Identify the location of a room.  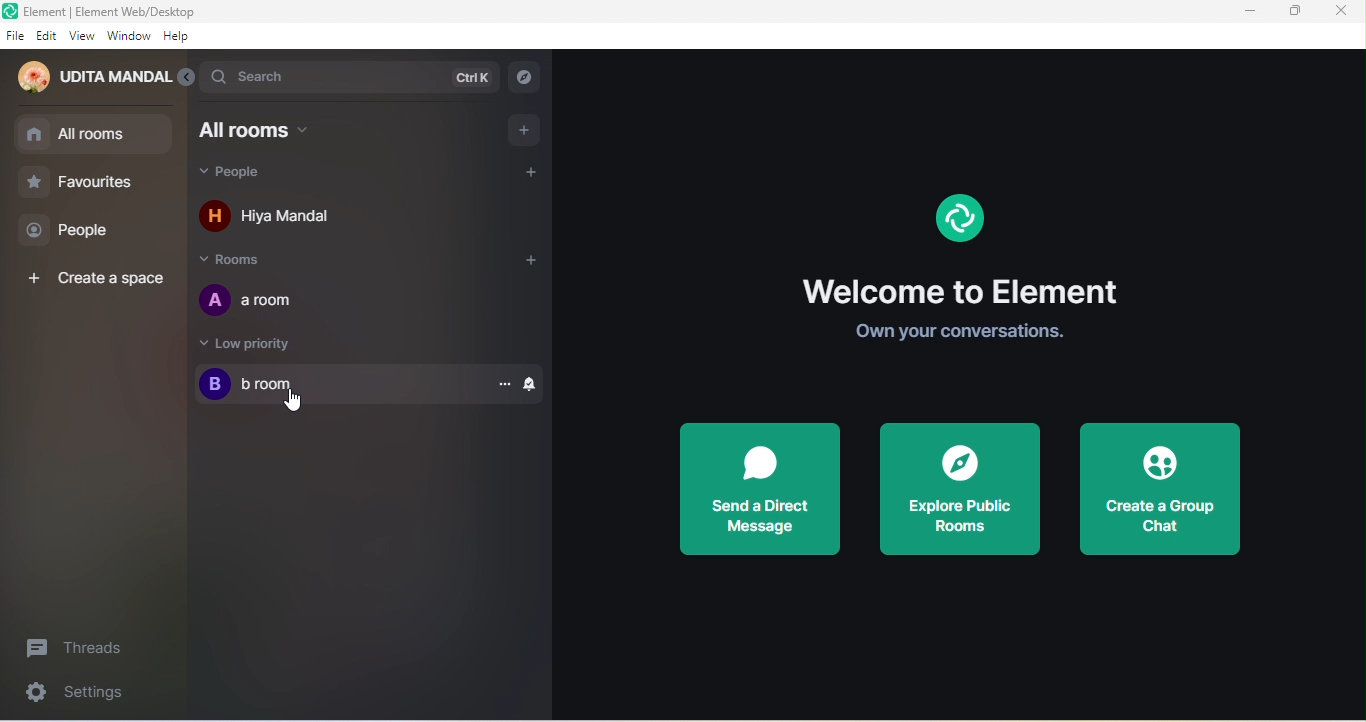
(264, 303).